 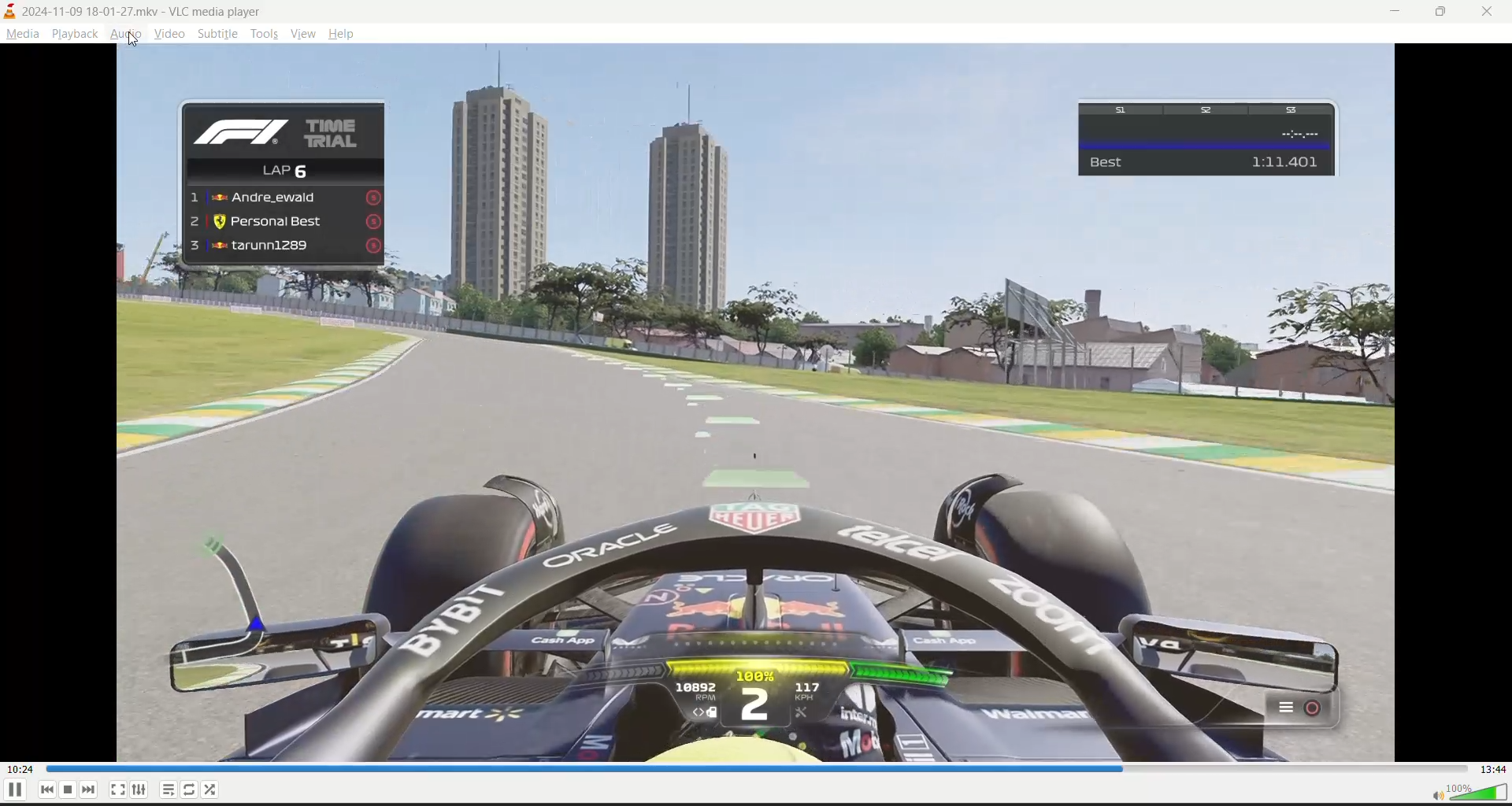 I want to click on 00:24, so click(x=16, y=769).